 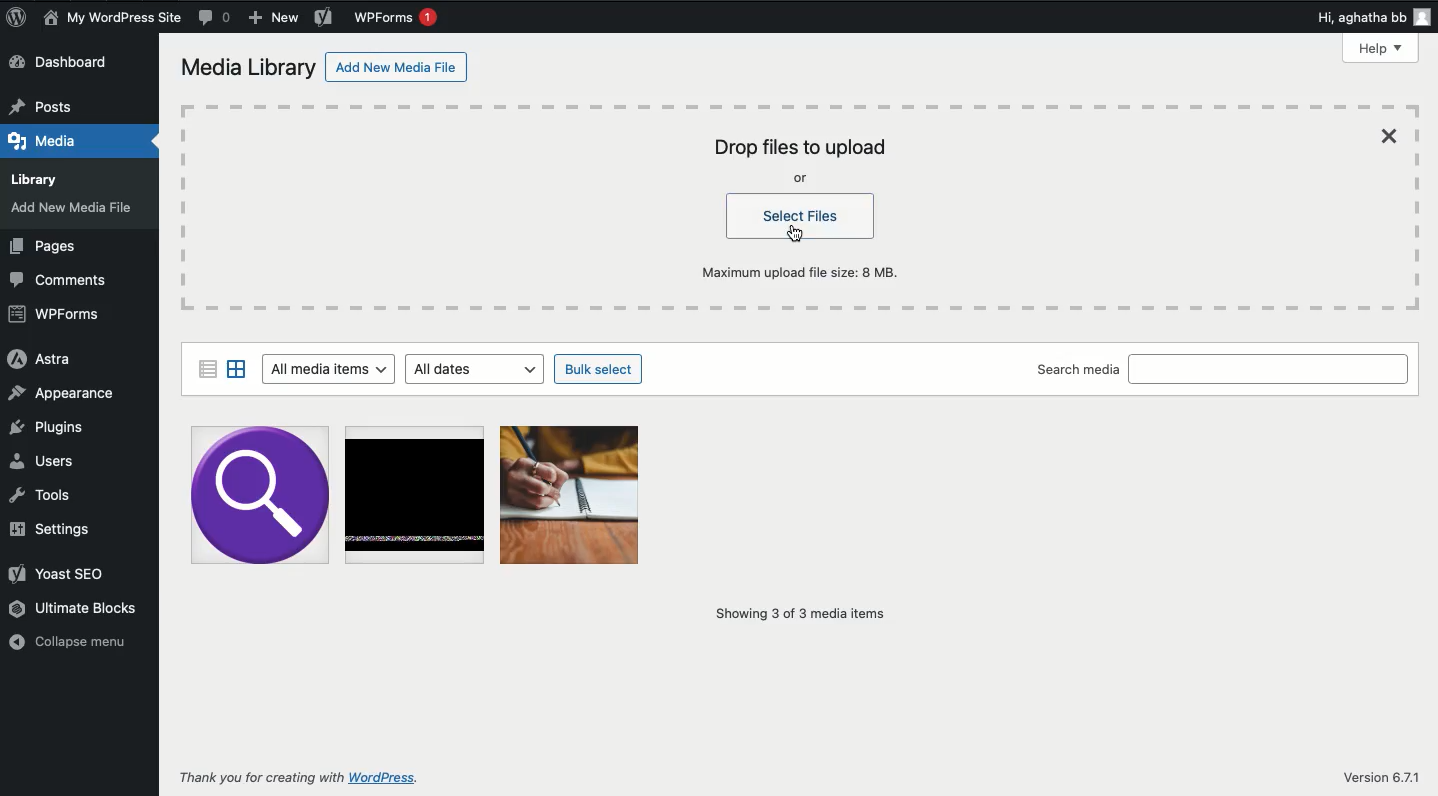 I want to click on WPForms, so click(x=397, y=17).